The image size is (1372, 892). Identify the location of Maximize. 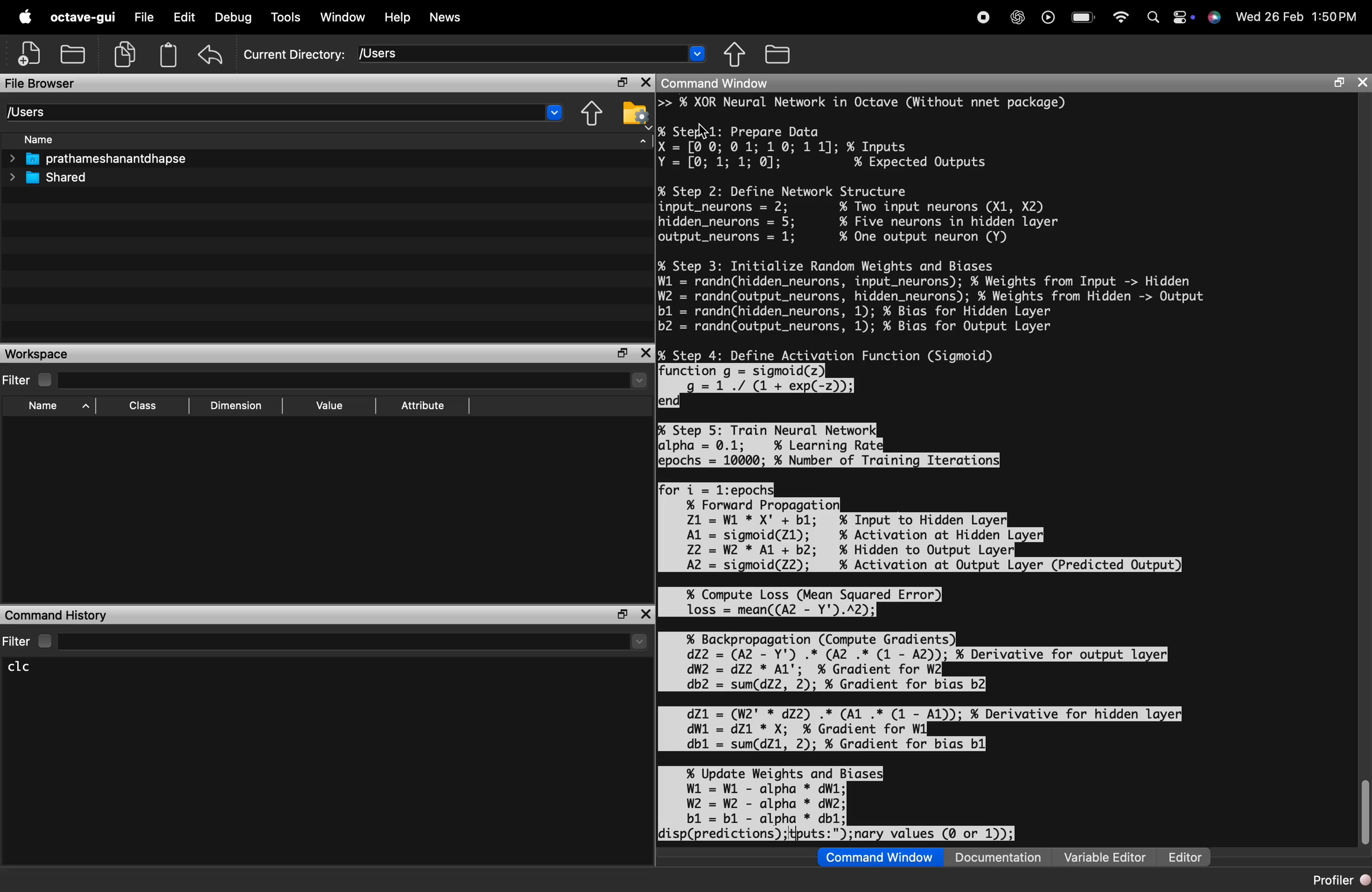
(1336, 84).